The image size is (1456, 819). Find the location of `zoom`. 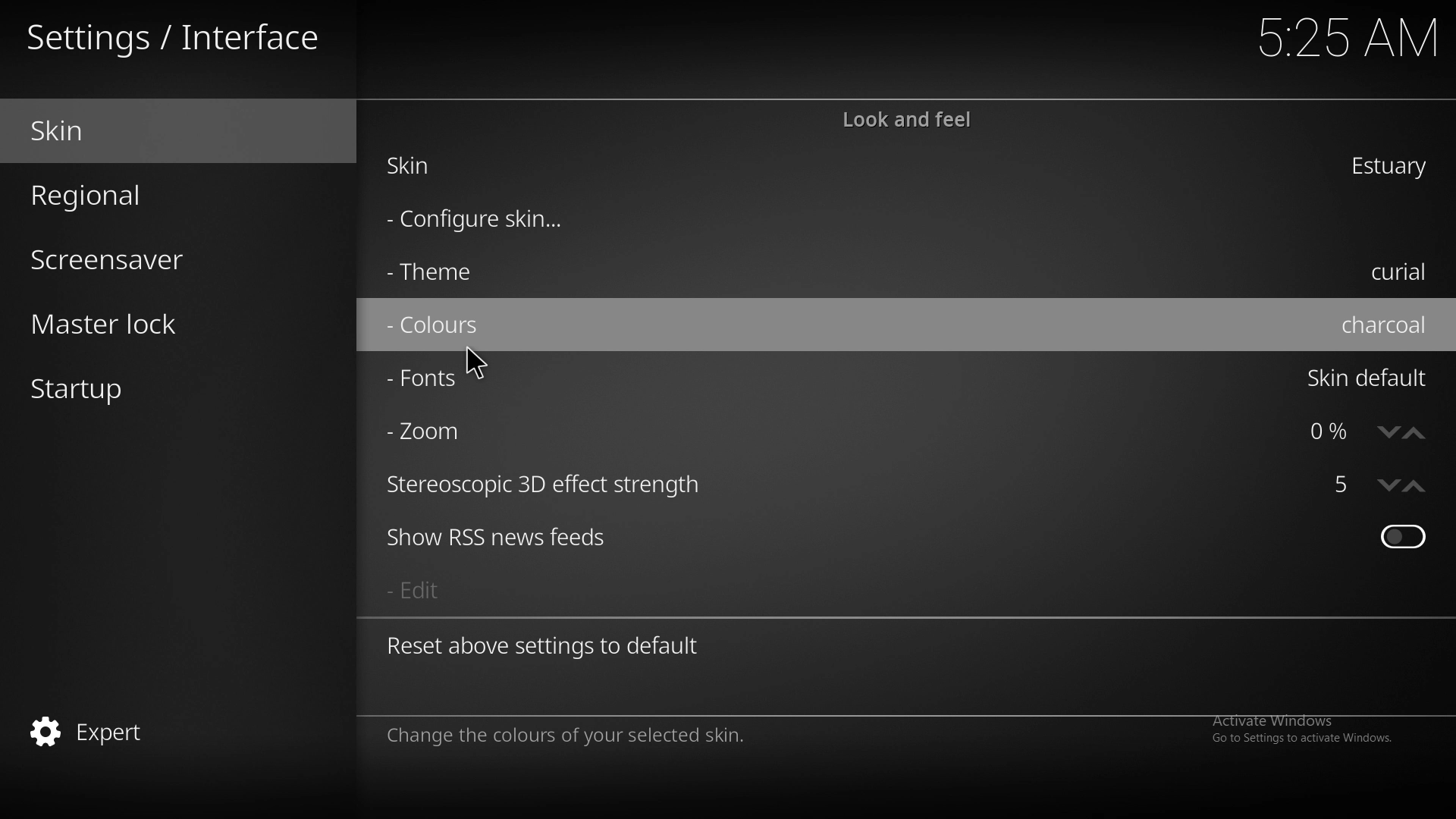

zoom is located at coordinates (474, 432).